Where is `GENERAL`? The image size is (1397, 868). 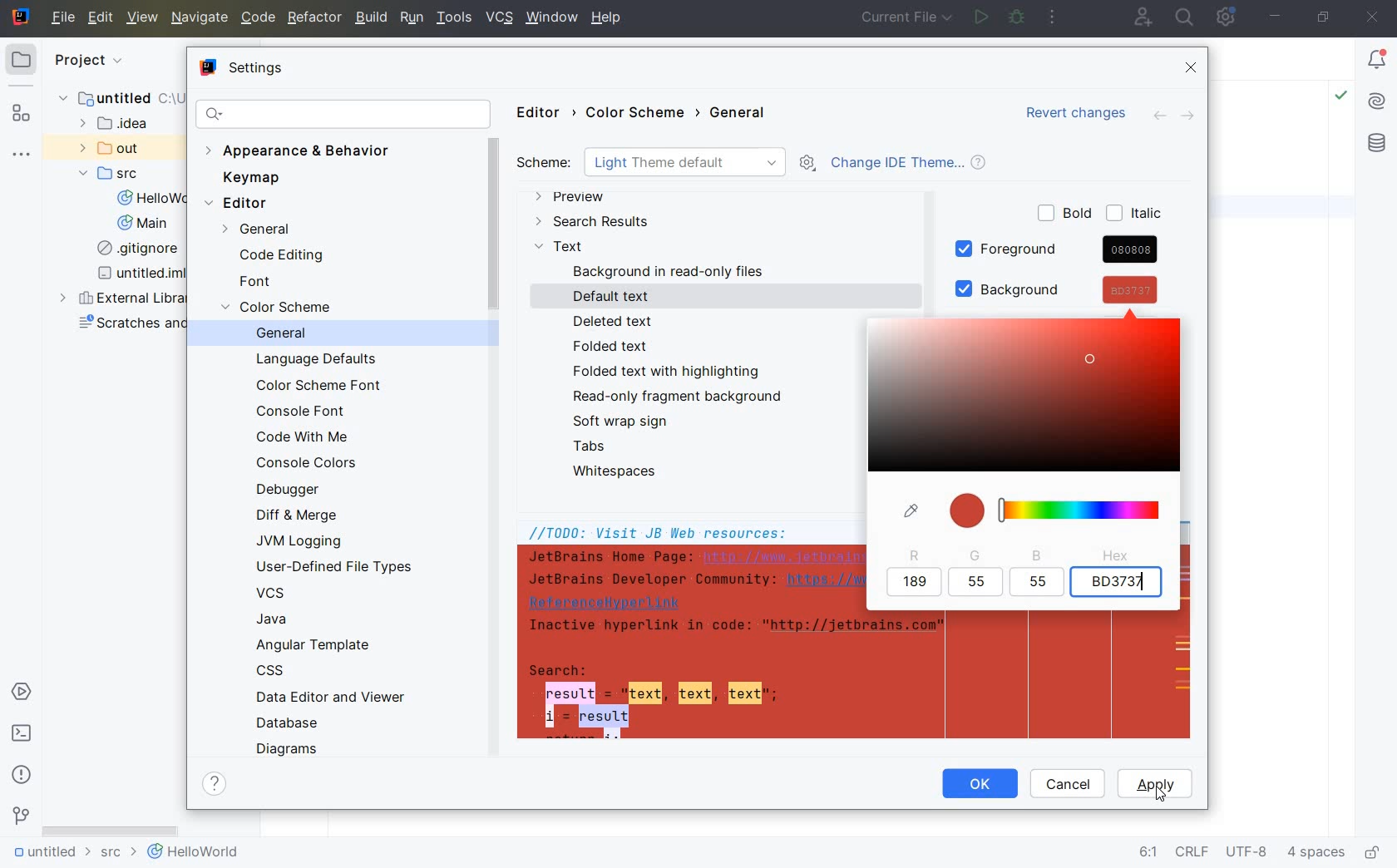 GENERAL is located at coordinates (249, 230).